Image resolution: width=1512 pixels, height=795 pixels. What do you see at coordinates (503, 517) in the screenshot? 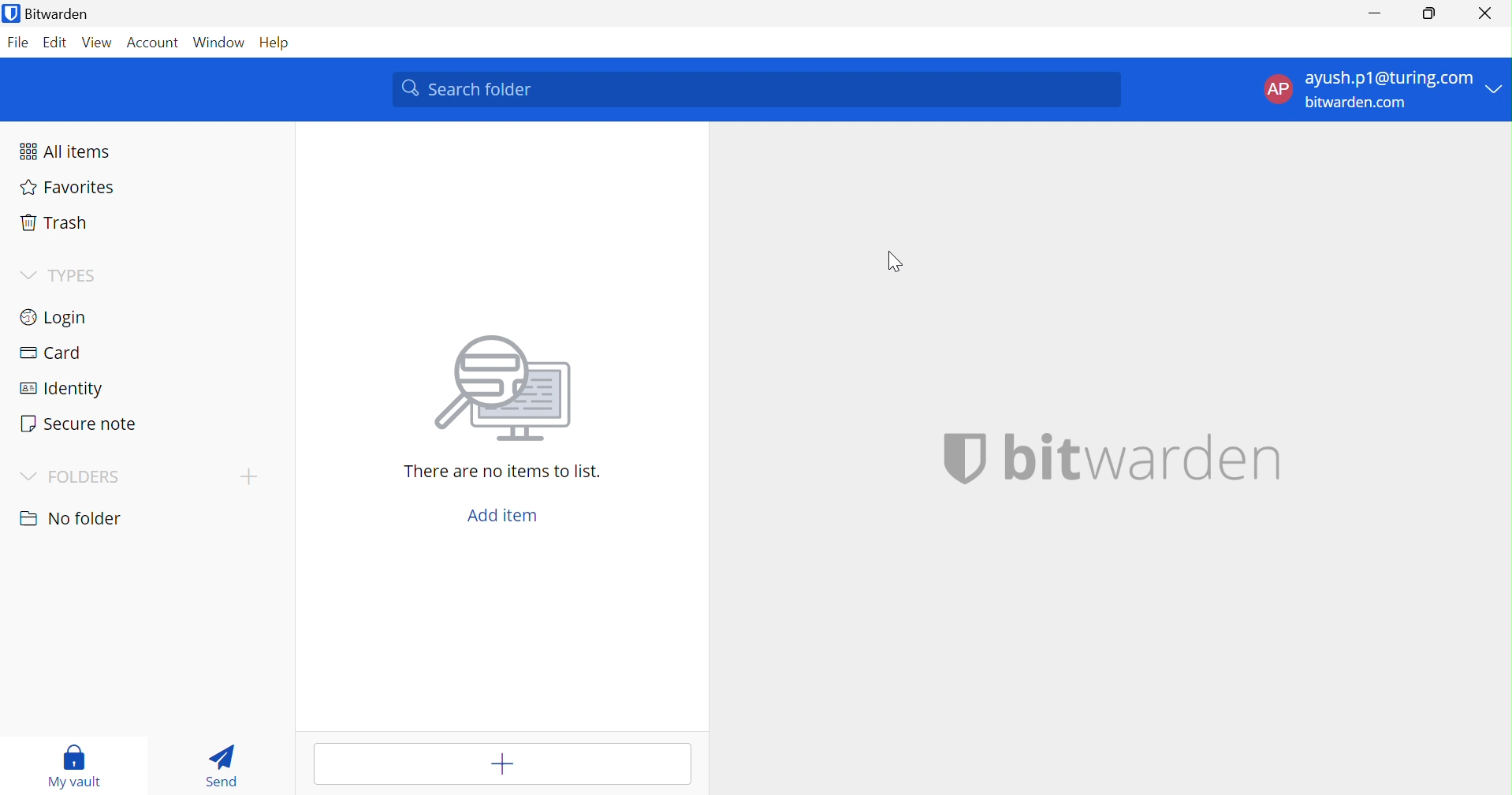
I see `Add item` at bounding box center [503, 517].